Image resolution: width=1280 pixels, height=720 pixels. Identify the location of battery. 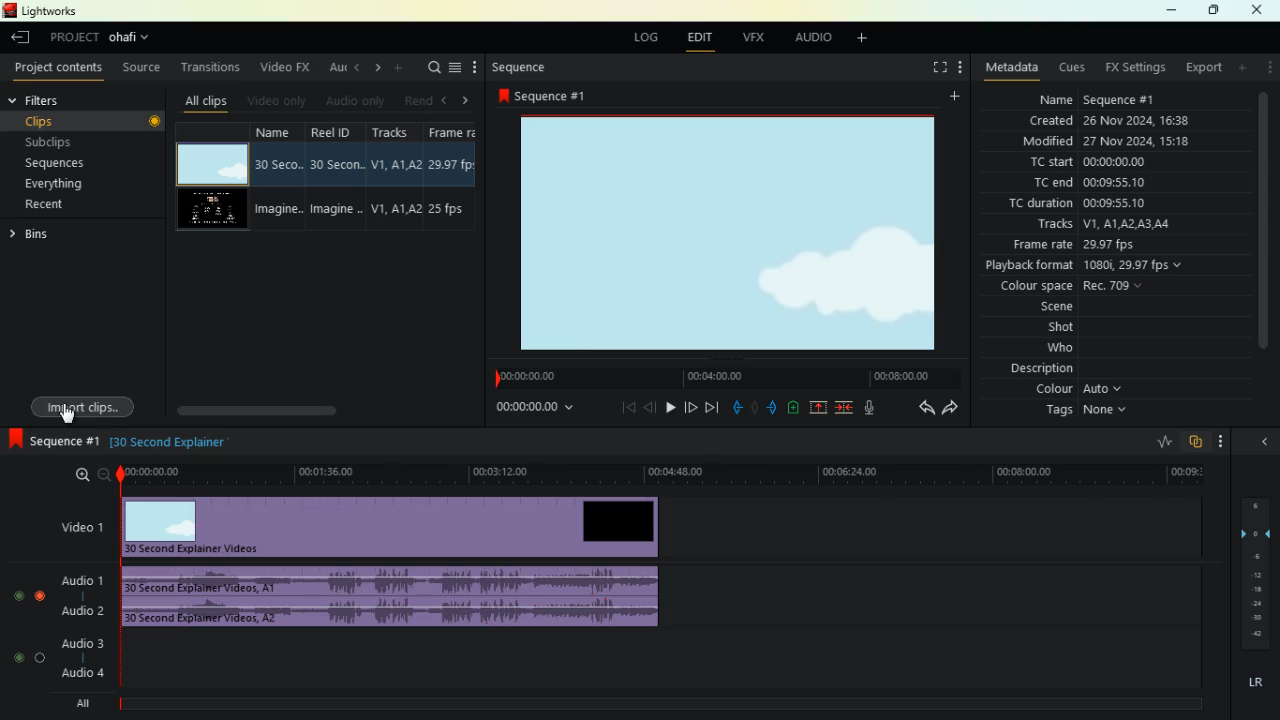
(792, 409).